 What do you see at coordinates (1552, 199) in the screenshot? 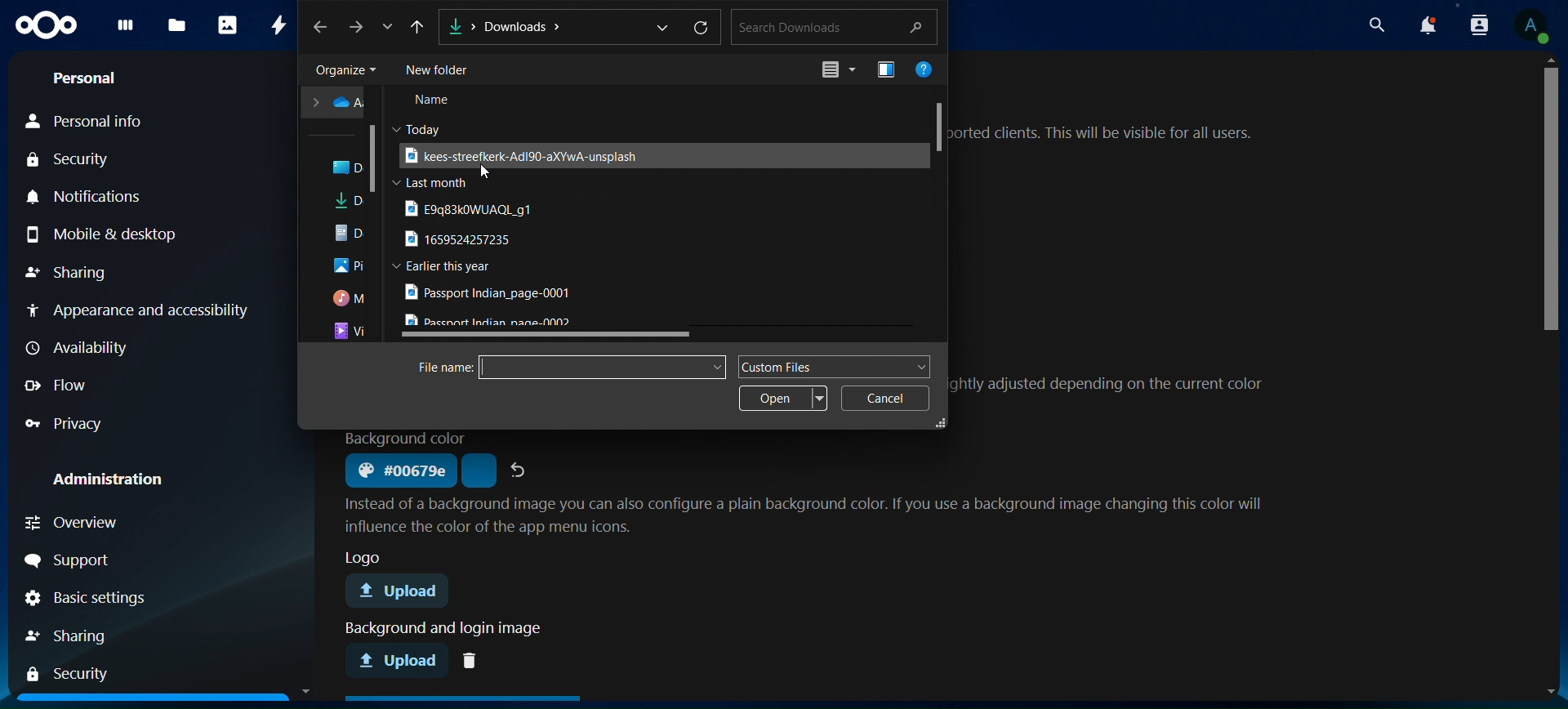
I see `scroll bar` at bounding box center [1552, 199].